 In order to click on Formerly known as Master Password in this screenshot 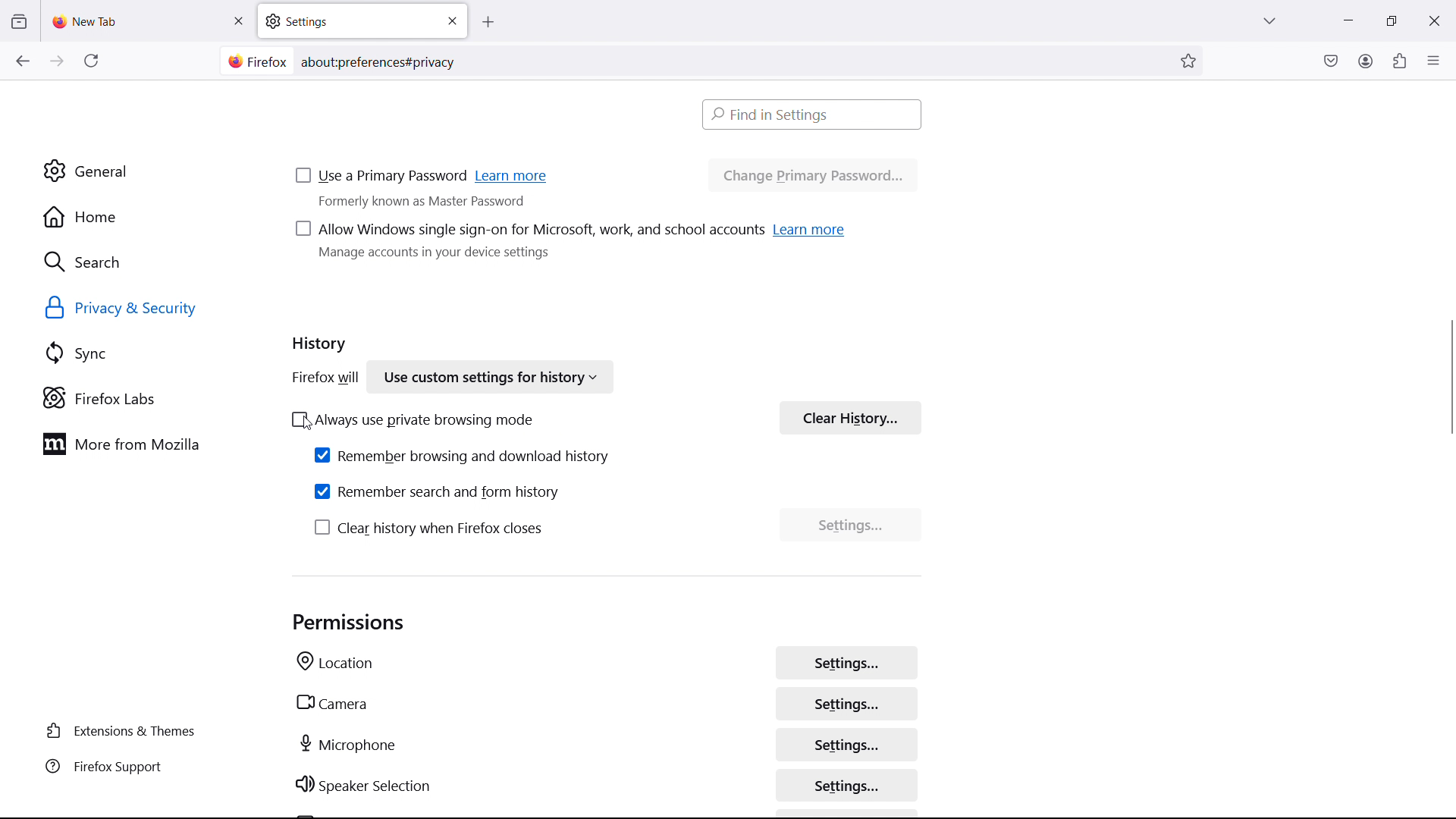, I will do `click(444, 206)`.